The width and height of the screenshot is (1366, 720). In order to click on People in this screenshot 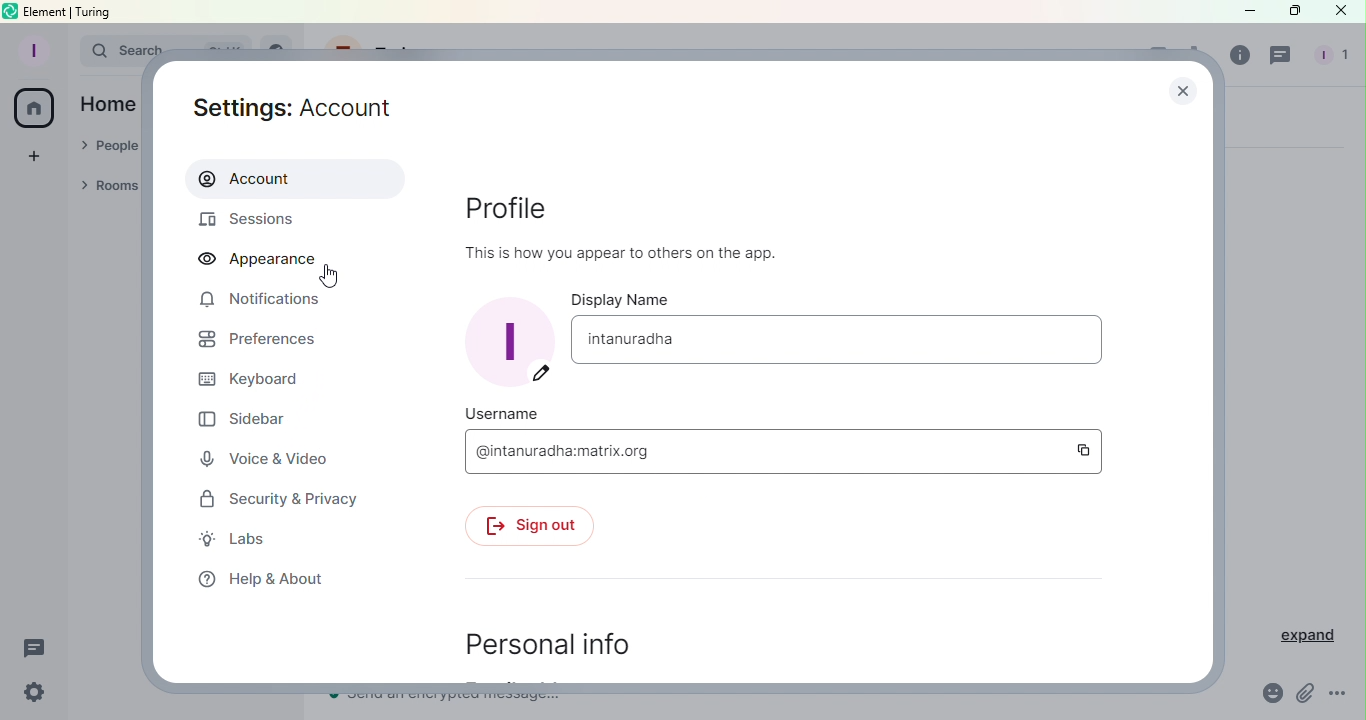, I will do `click(1330, 56)`.